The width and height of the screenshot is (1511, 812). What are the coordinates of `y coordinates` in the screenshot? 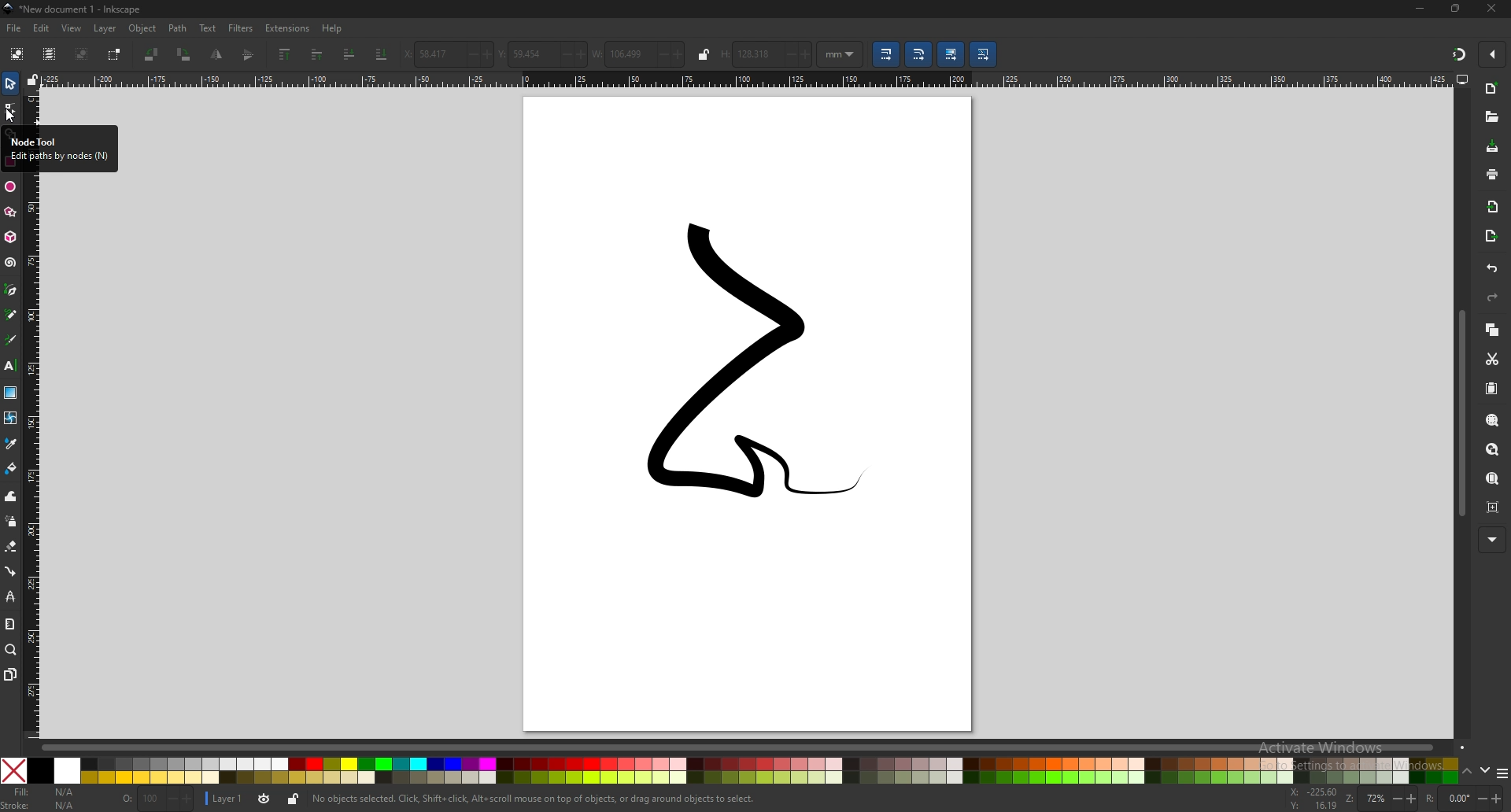 It's located at (542, 54).